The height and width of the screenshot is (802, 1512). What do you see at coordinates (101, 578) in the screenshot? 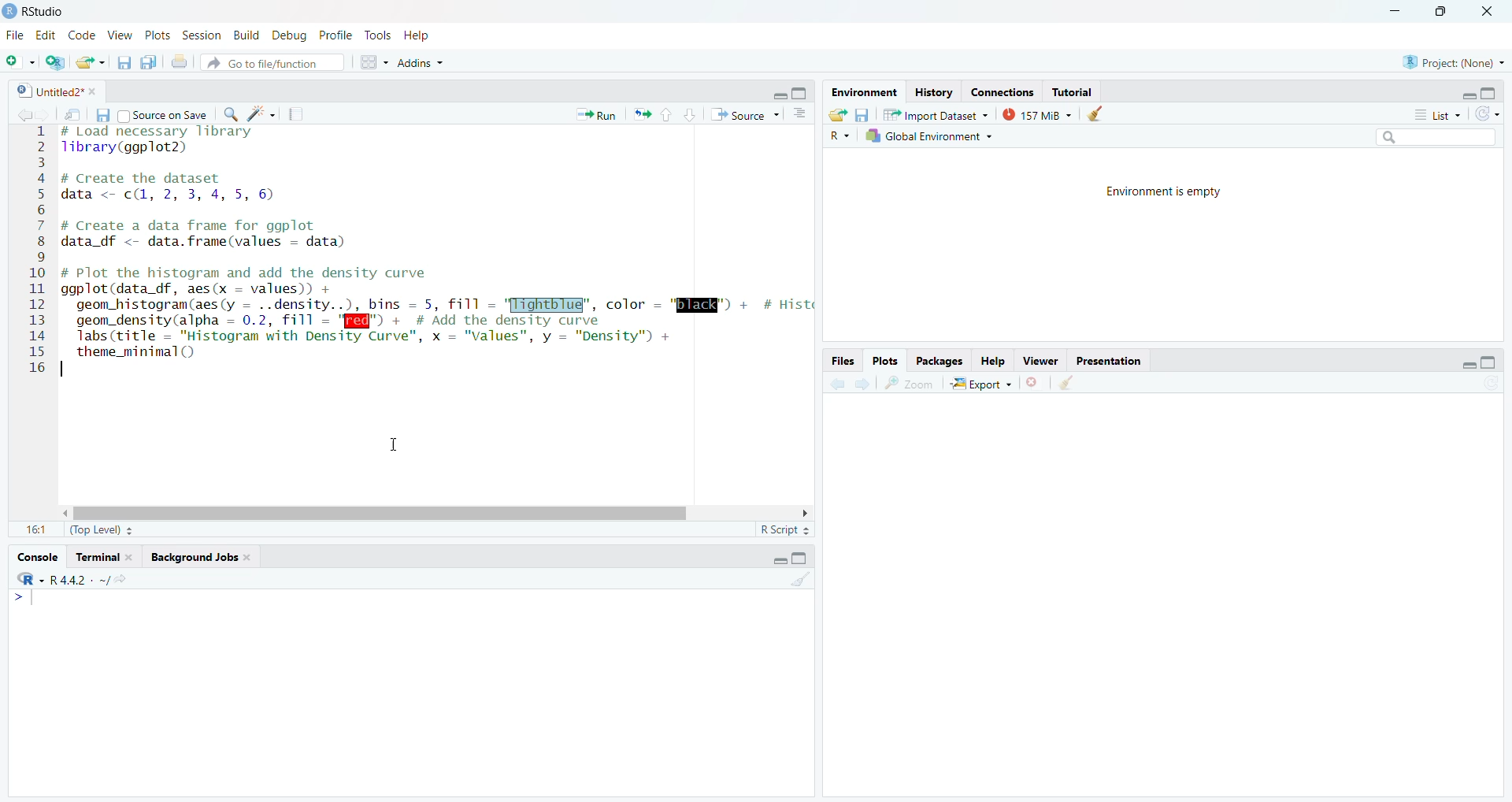
I see `. ~/` at bounding box center [101, 578].